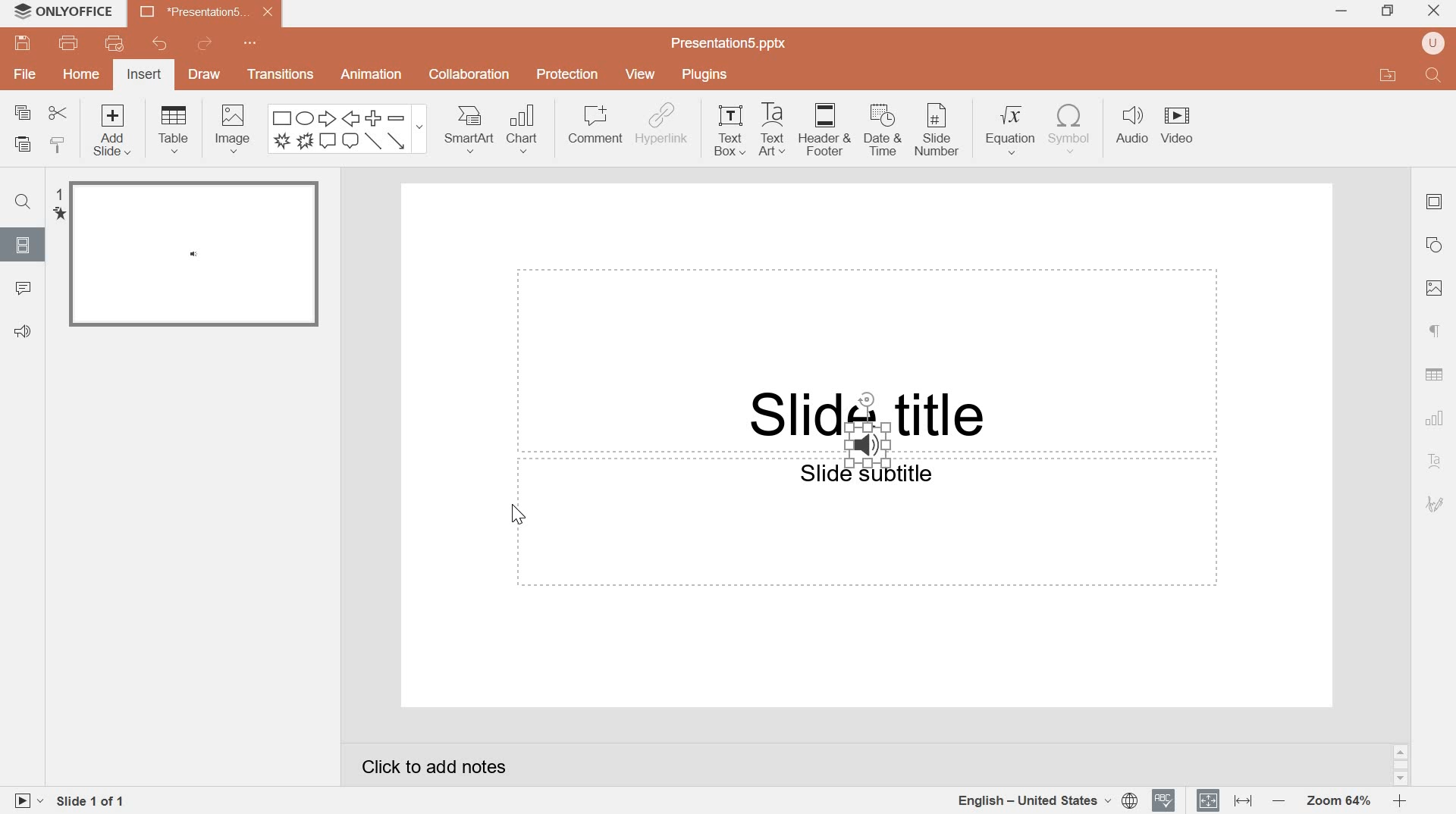 The image size is (1456, 814). Describe the element at coordinates (776, 130) in the screenshot. I see `Text Art` at that location.